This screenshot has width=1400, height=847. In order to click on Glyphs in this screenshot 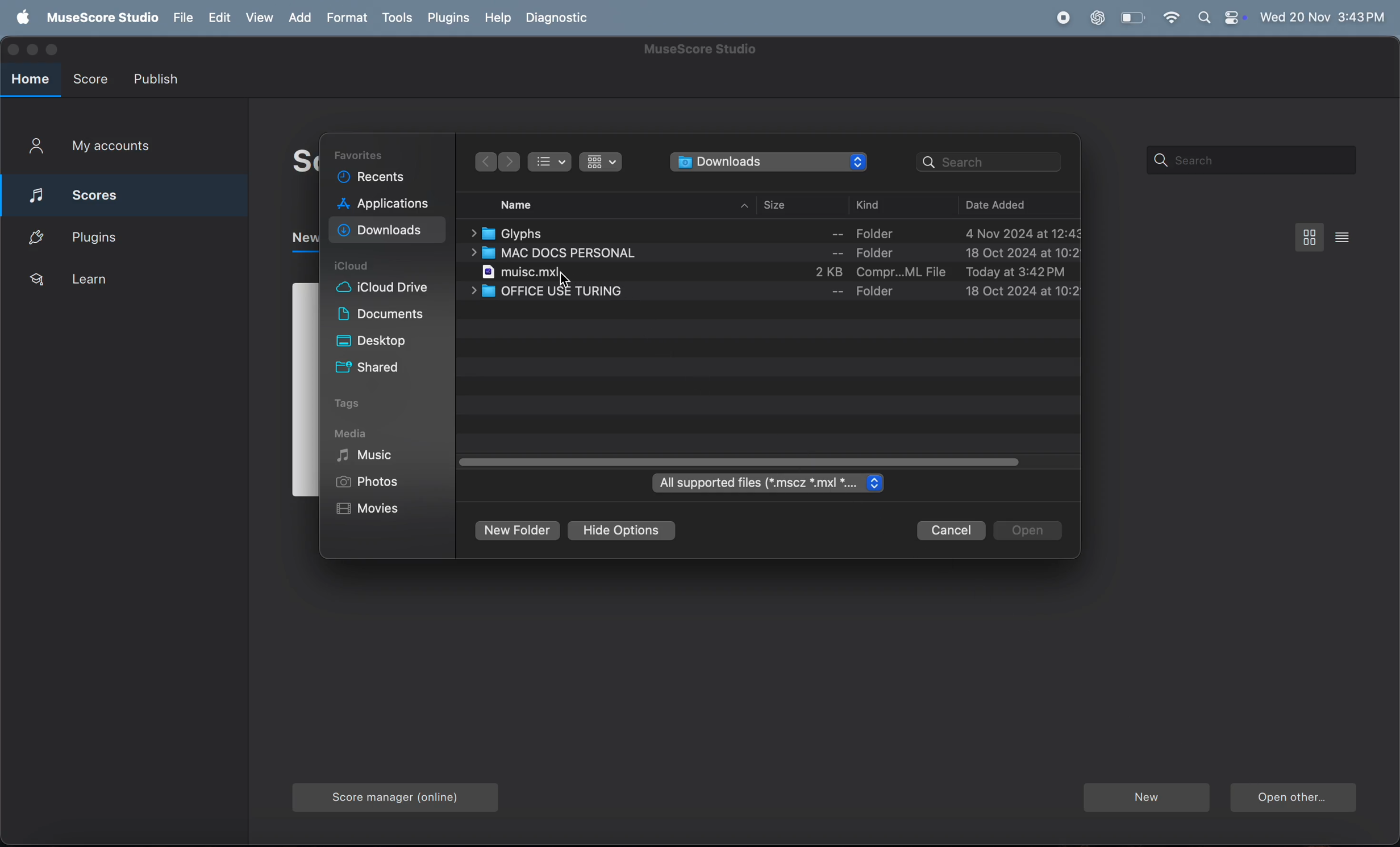, I will do `click(774, 232)`.